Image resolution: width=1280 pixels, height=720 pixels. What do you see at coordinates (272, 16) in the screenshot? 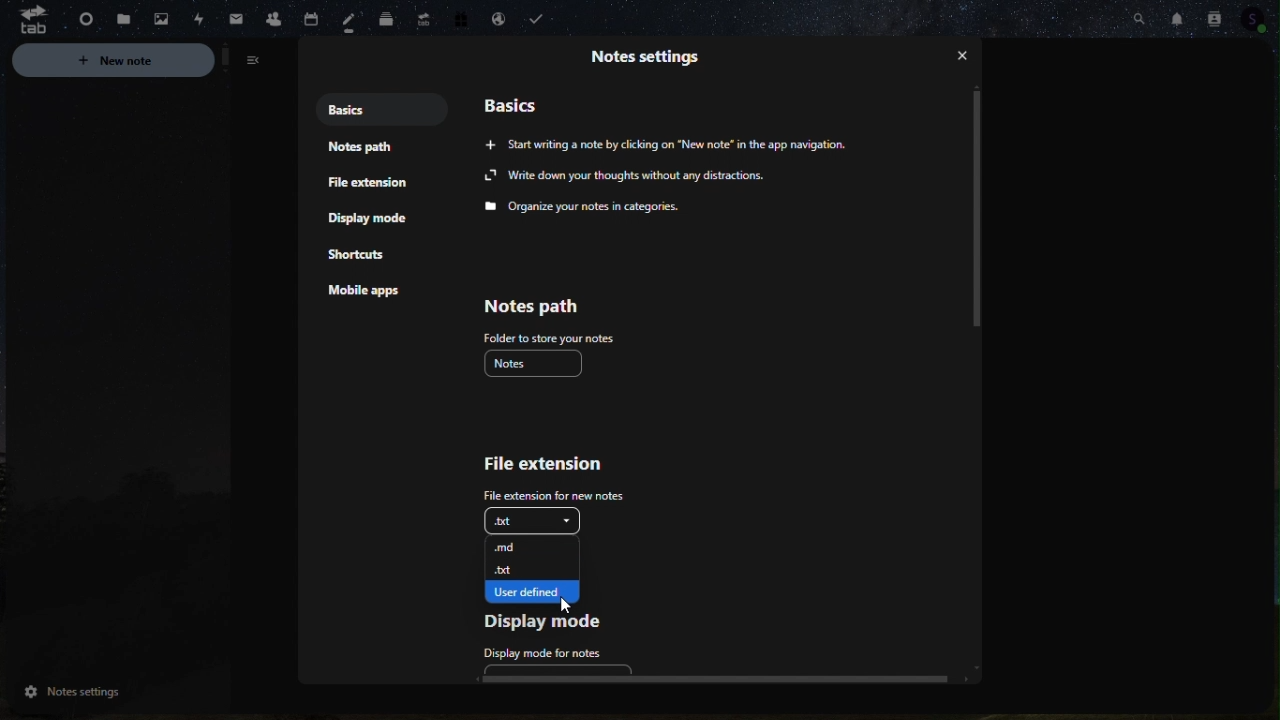
I see `Contacts` at bounding box center [272, 16].